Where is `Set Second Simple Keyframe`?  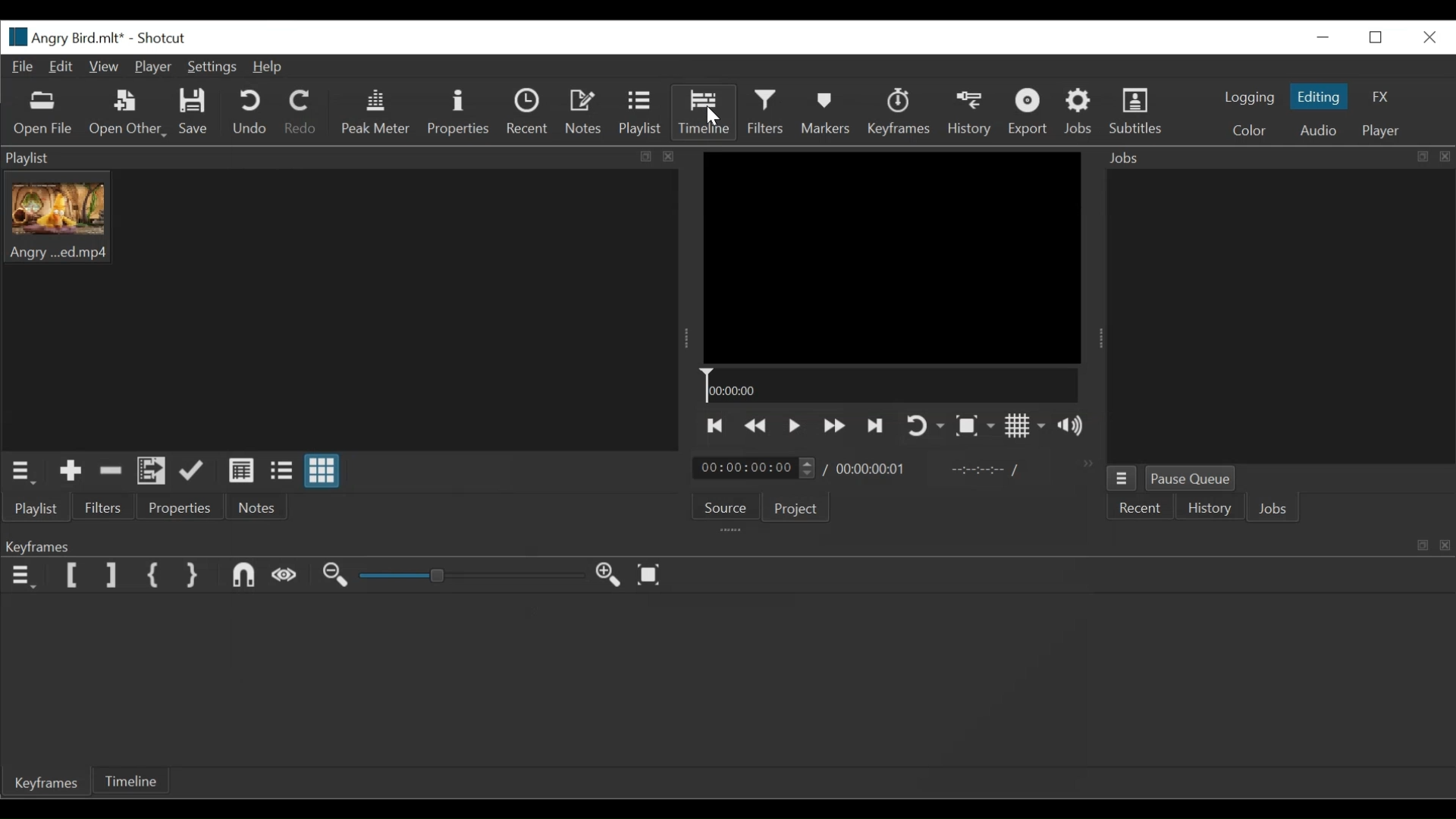
Set Second Simple Keyframe is located at coordinates (192, 576).